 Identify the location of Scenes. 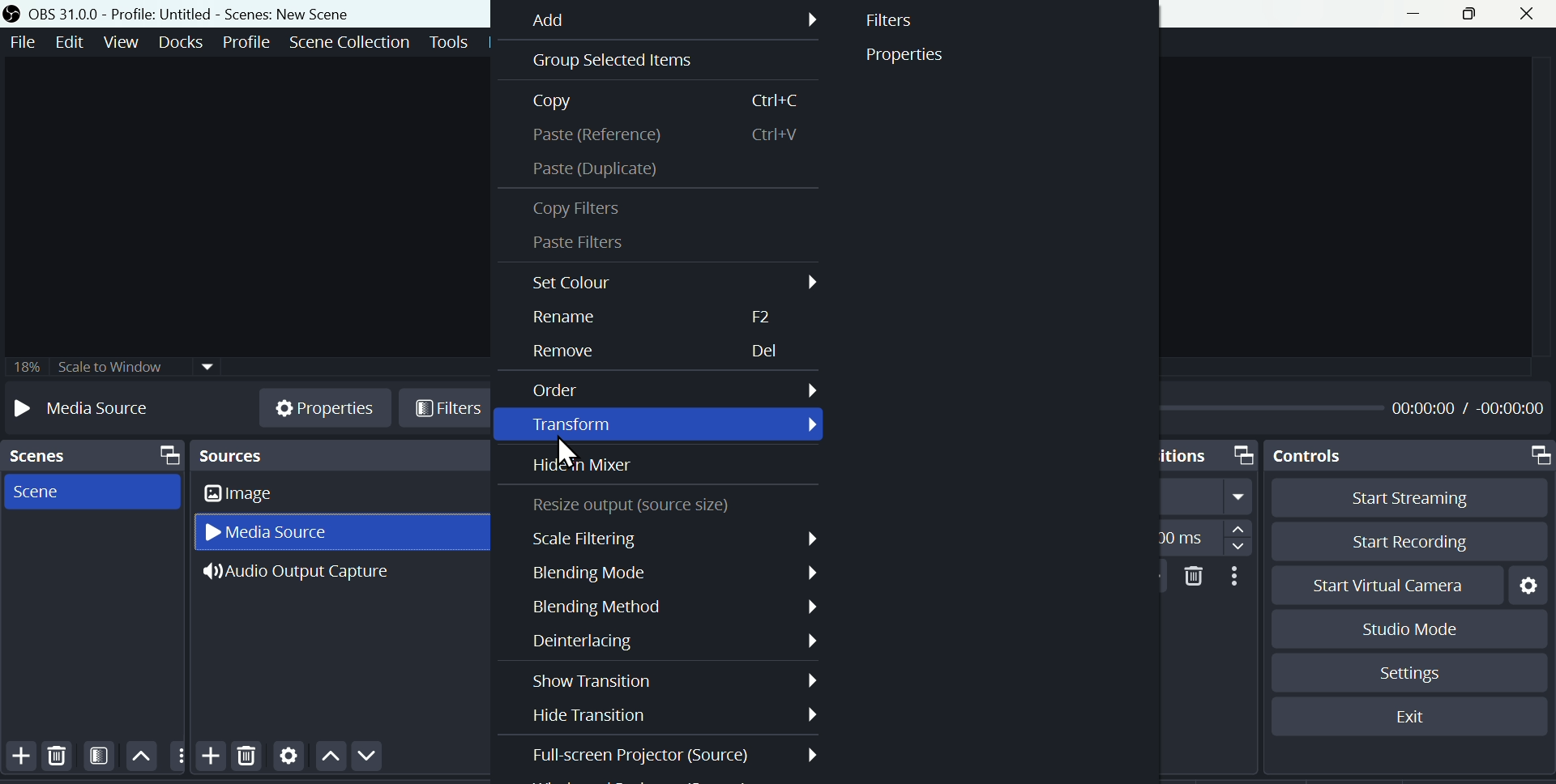
(91, 456).